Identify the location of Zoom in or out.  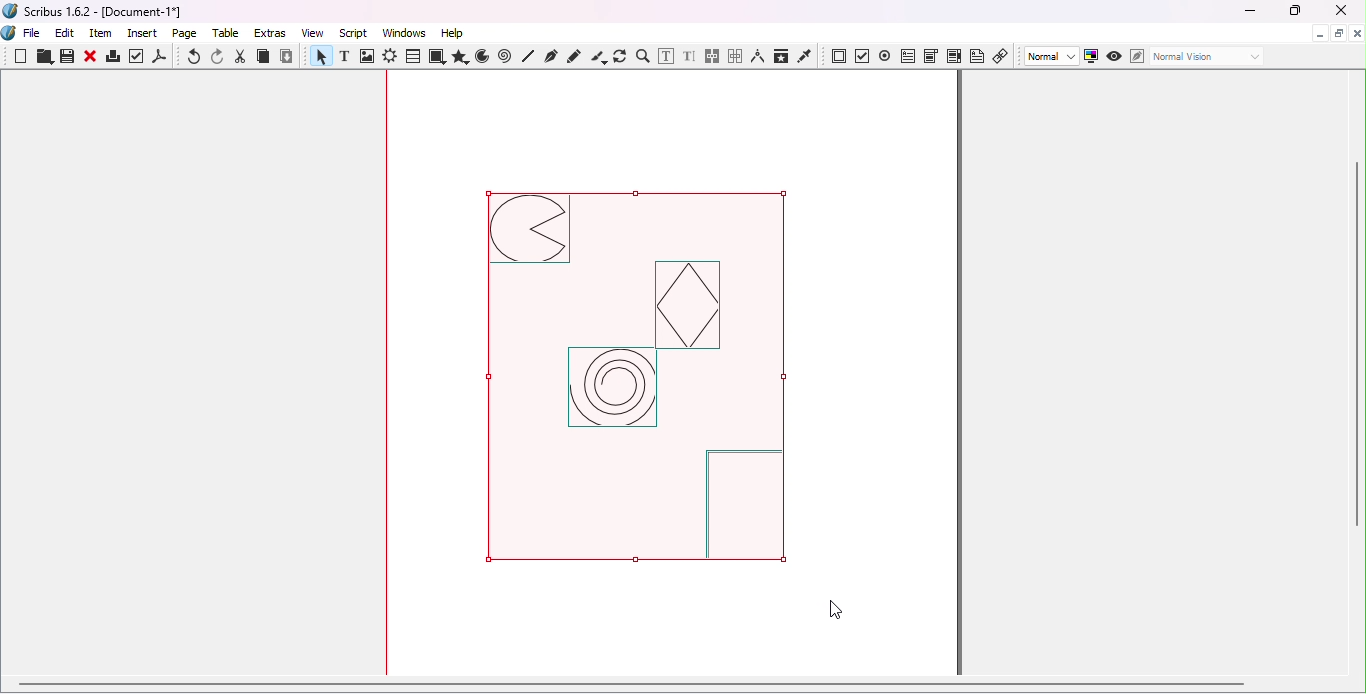
(642, 56).